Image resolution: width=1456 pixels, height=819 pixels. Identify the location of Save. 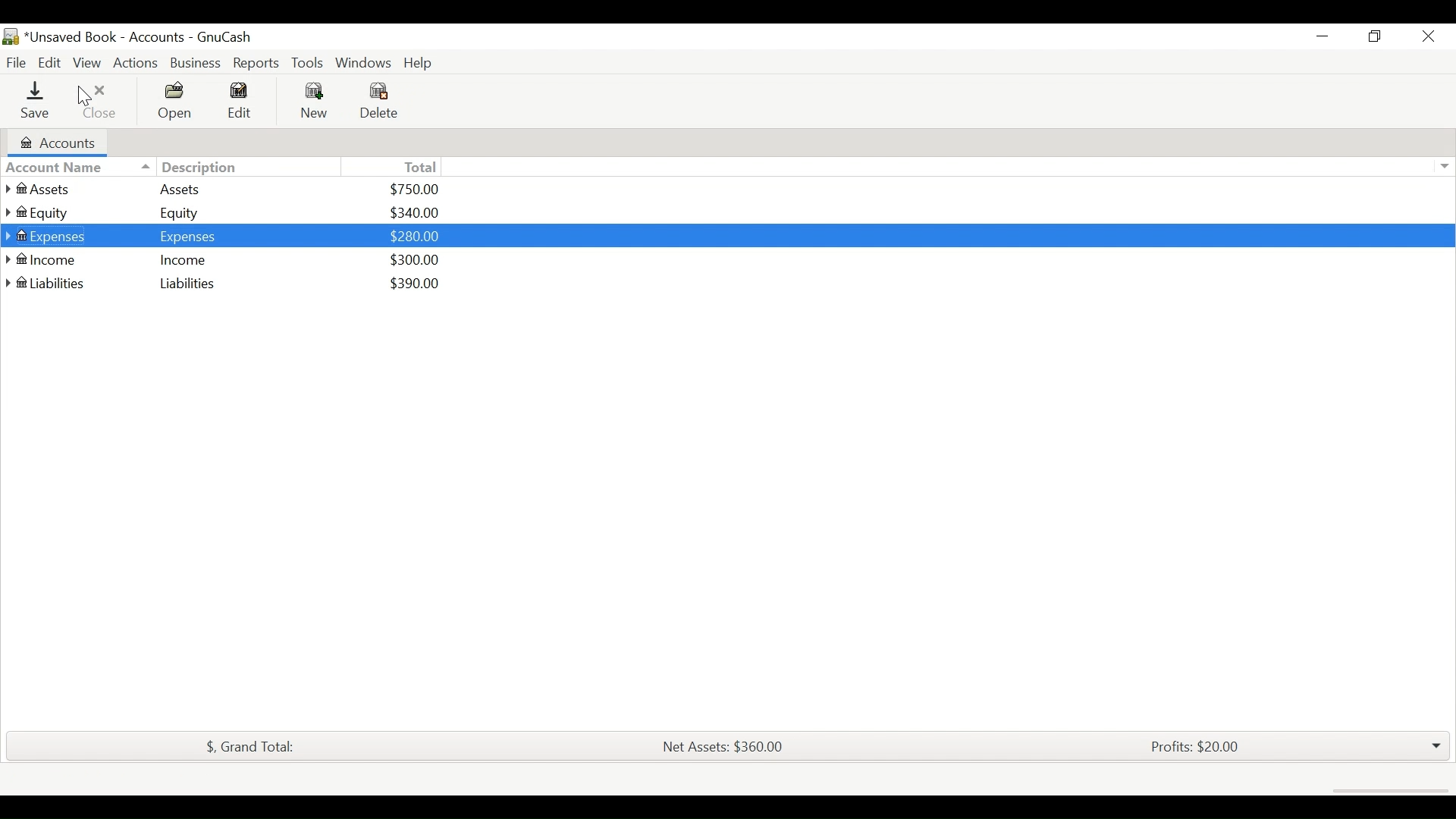
(33, 100).